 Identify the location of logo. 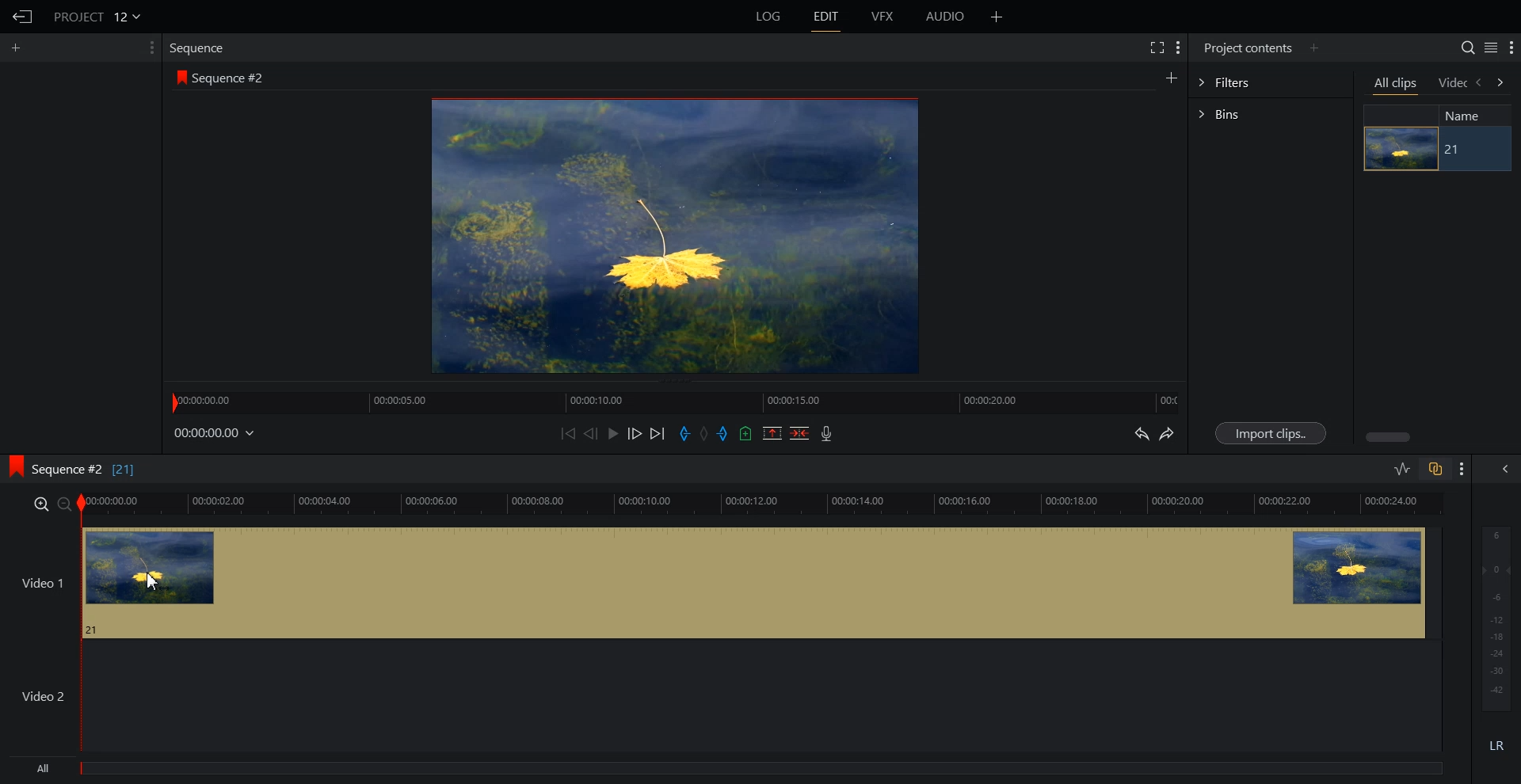
(13, 466).